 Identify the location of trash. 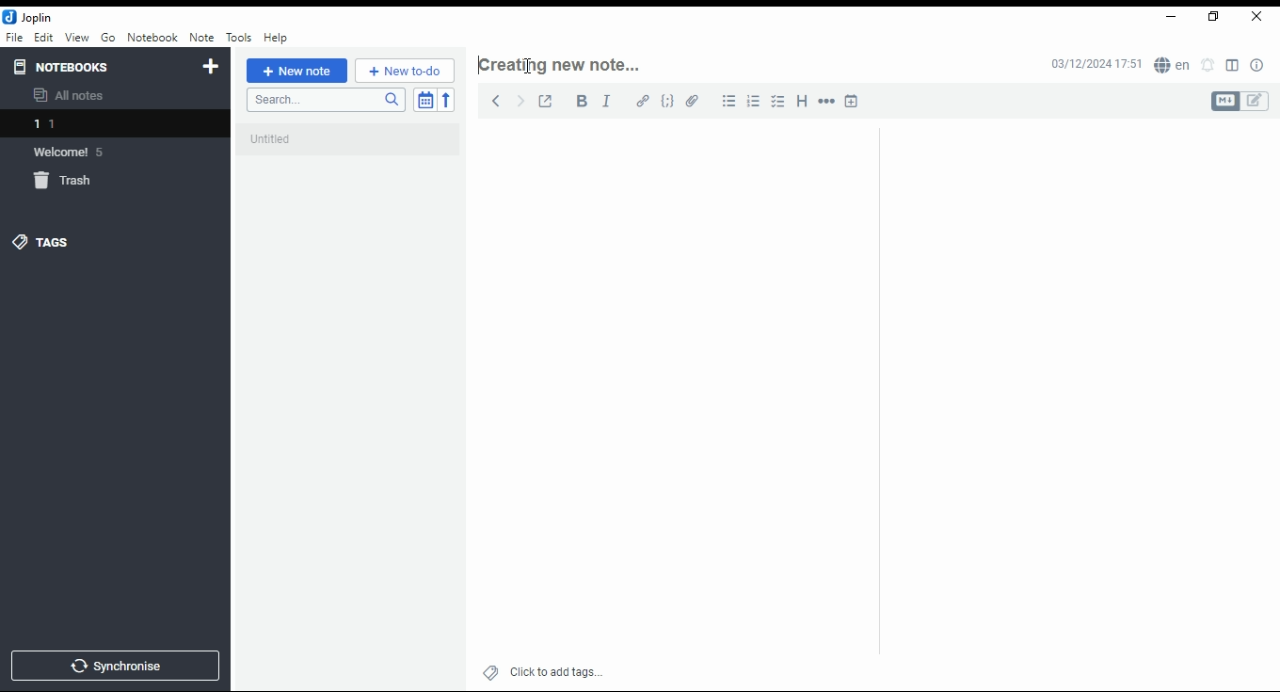
(66, 181).